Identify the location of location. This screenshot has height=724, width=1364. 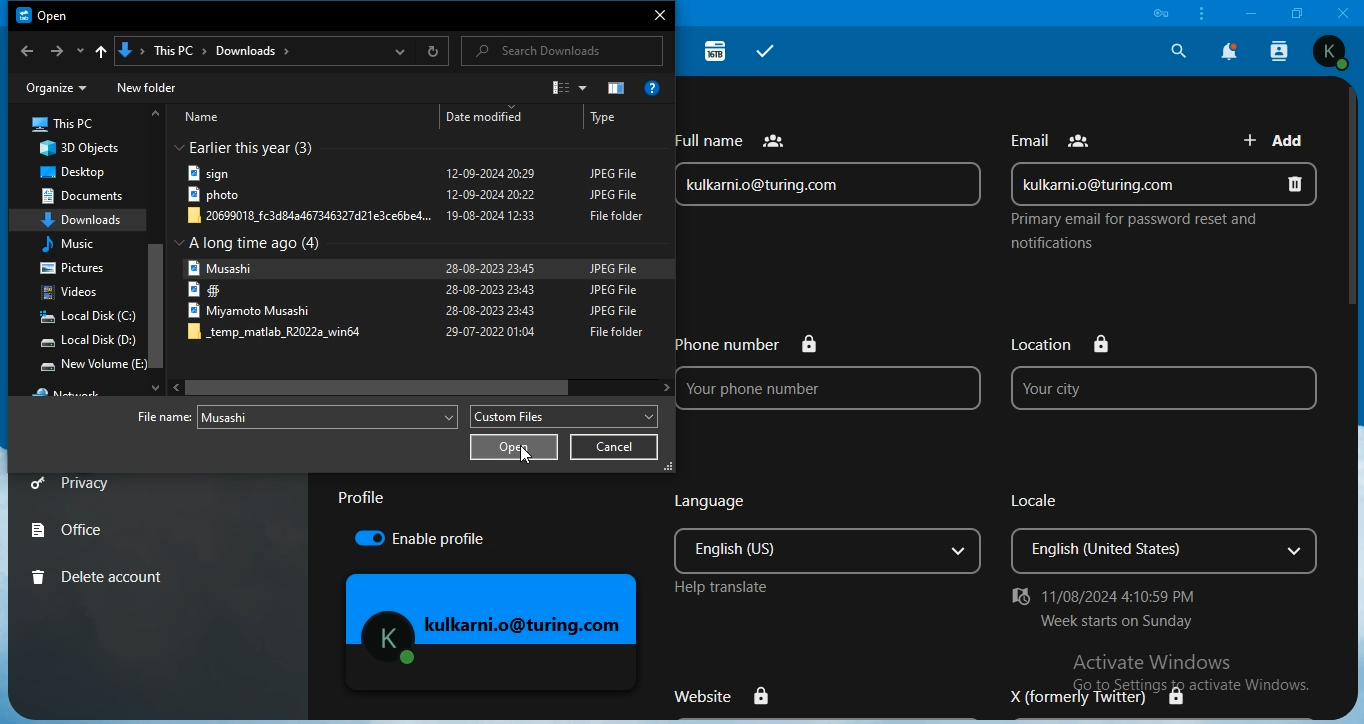
(1163, 374).